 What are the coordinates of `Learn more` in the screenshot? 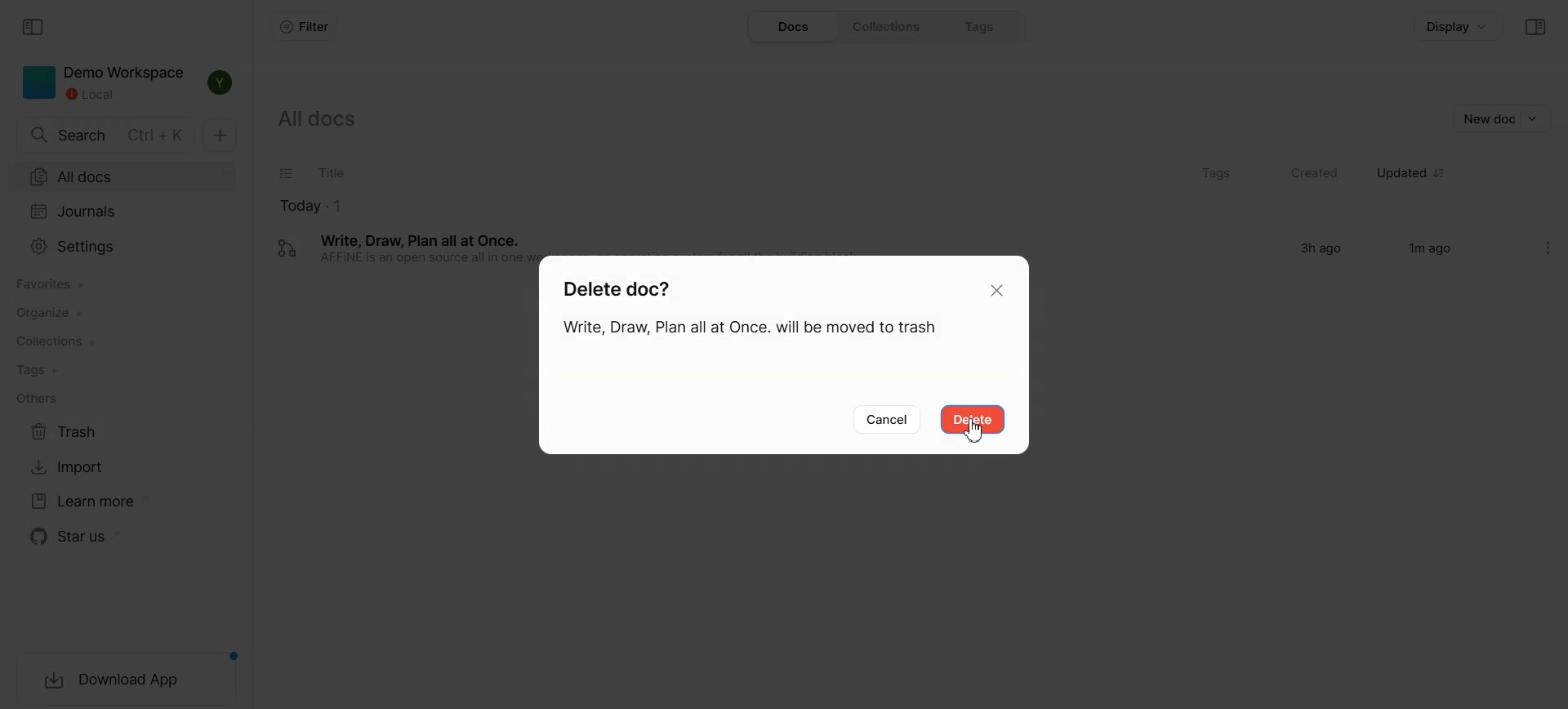 It's located at (107, 502).